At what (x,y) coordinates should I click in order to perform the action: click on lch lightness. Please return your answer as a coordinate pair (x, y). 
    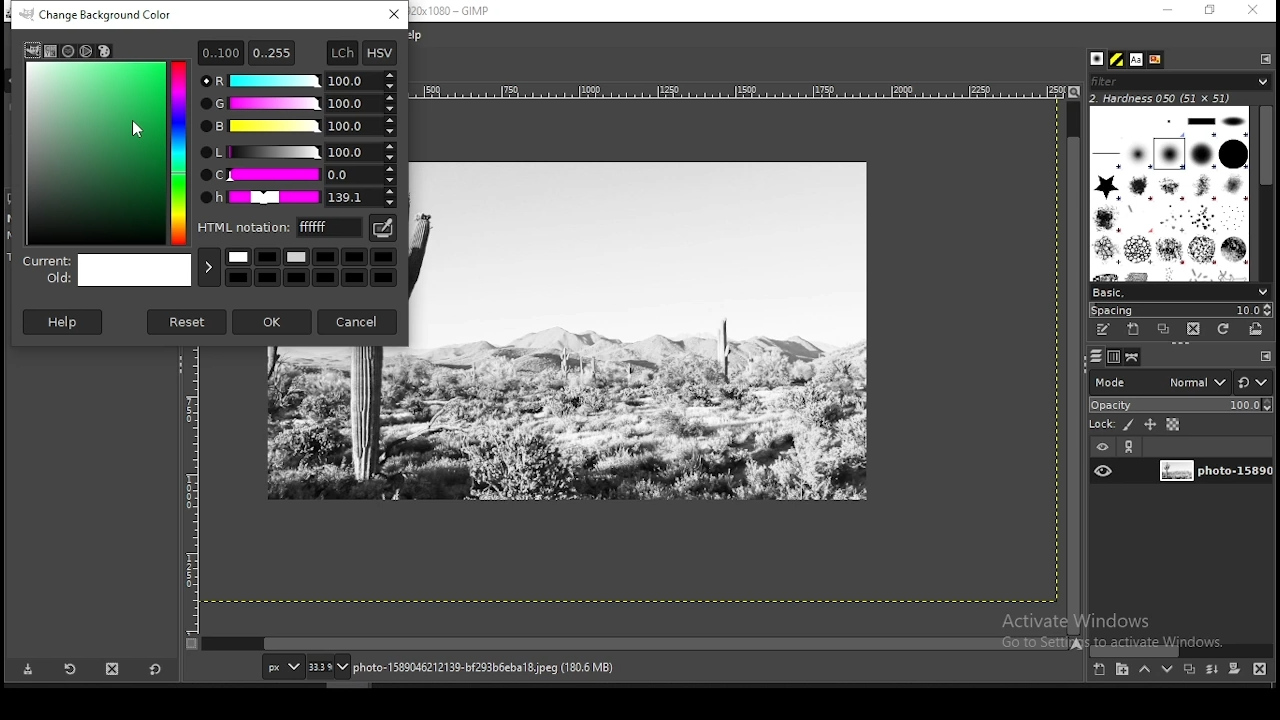
    Looking at the image, I should click on (296, 151).